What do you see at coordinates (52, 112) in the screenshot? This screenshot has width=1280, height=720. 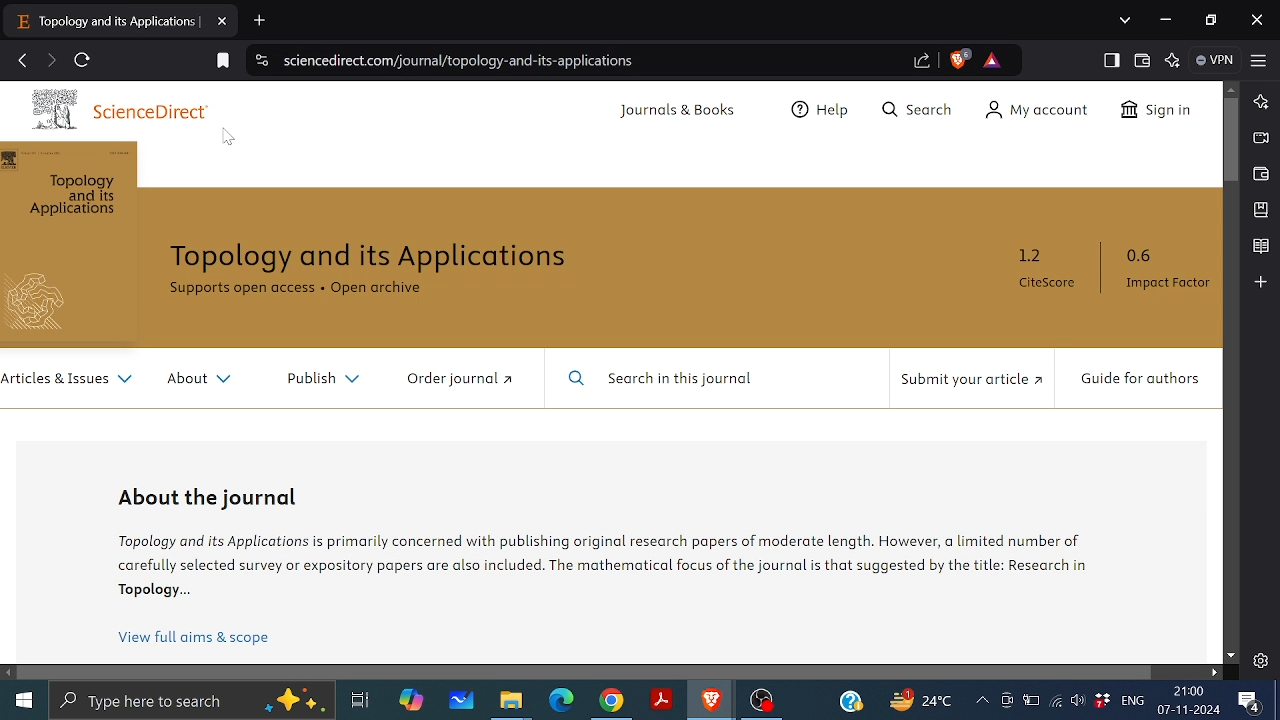 I see `logo` at bounding box center [52, 112].